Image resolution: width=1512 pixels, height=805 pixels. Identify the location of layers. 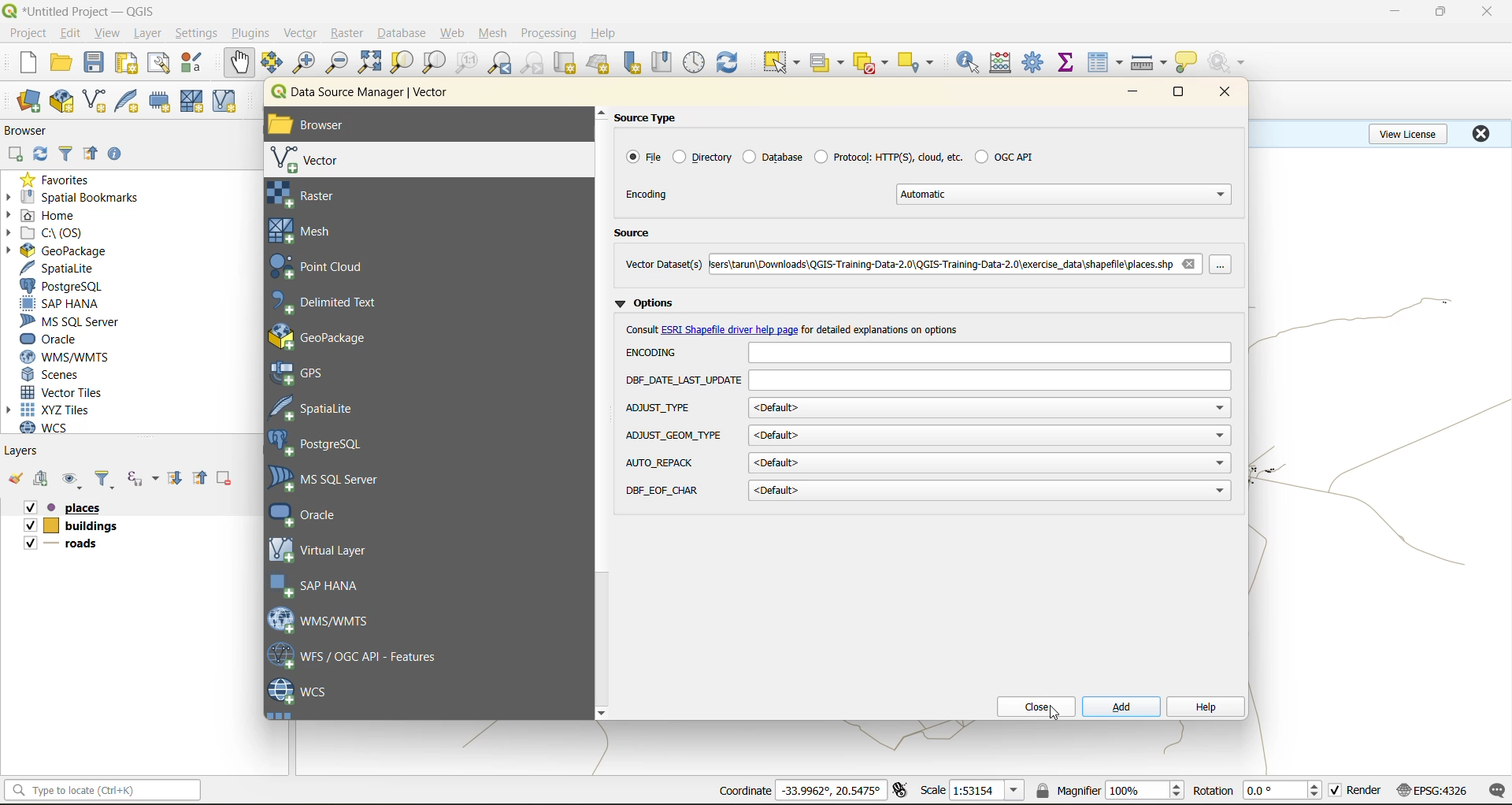
(23, 450).